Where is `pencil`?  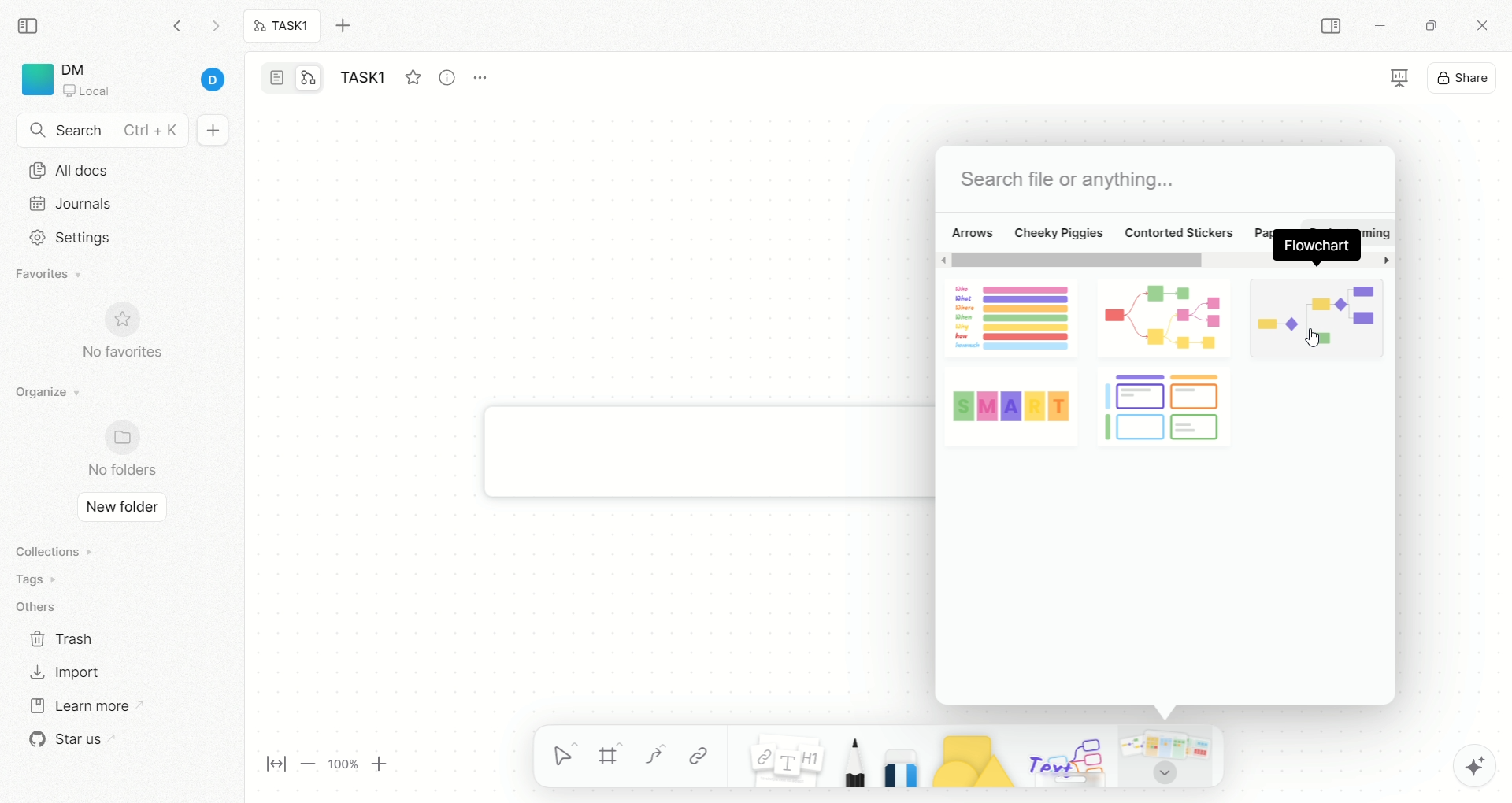 pencil is located at coordinates (850, 758).